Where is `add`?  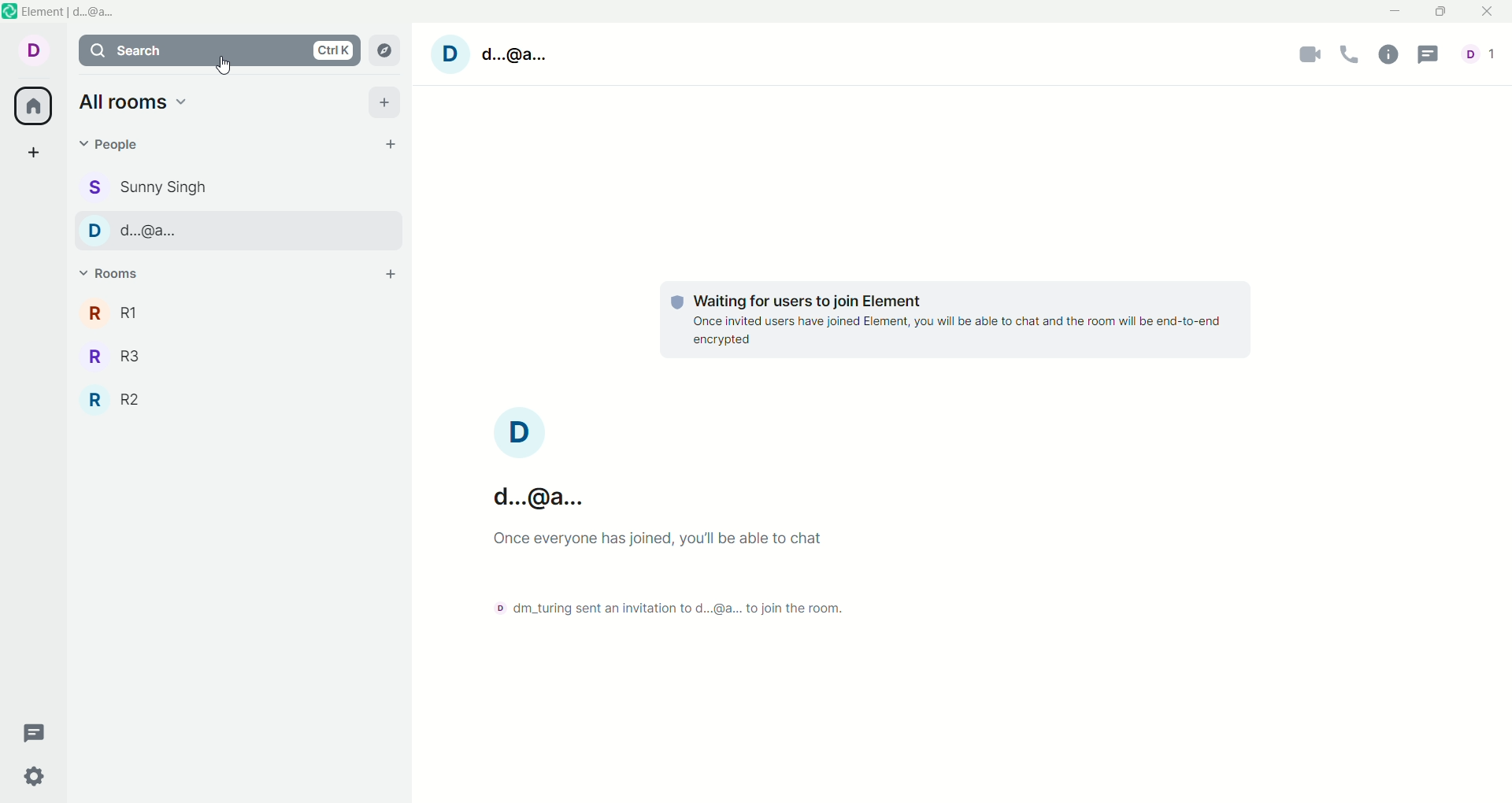
add is located at coordinates (384, 101).